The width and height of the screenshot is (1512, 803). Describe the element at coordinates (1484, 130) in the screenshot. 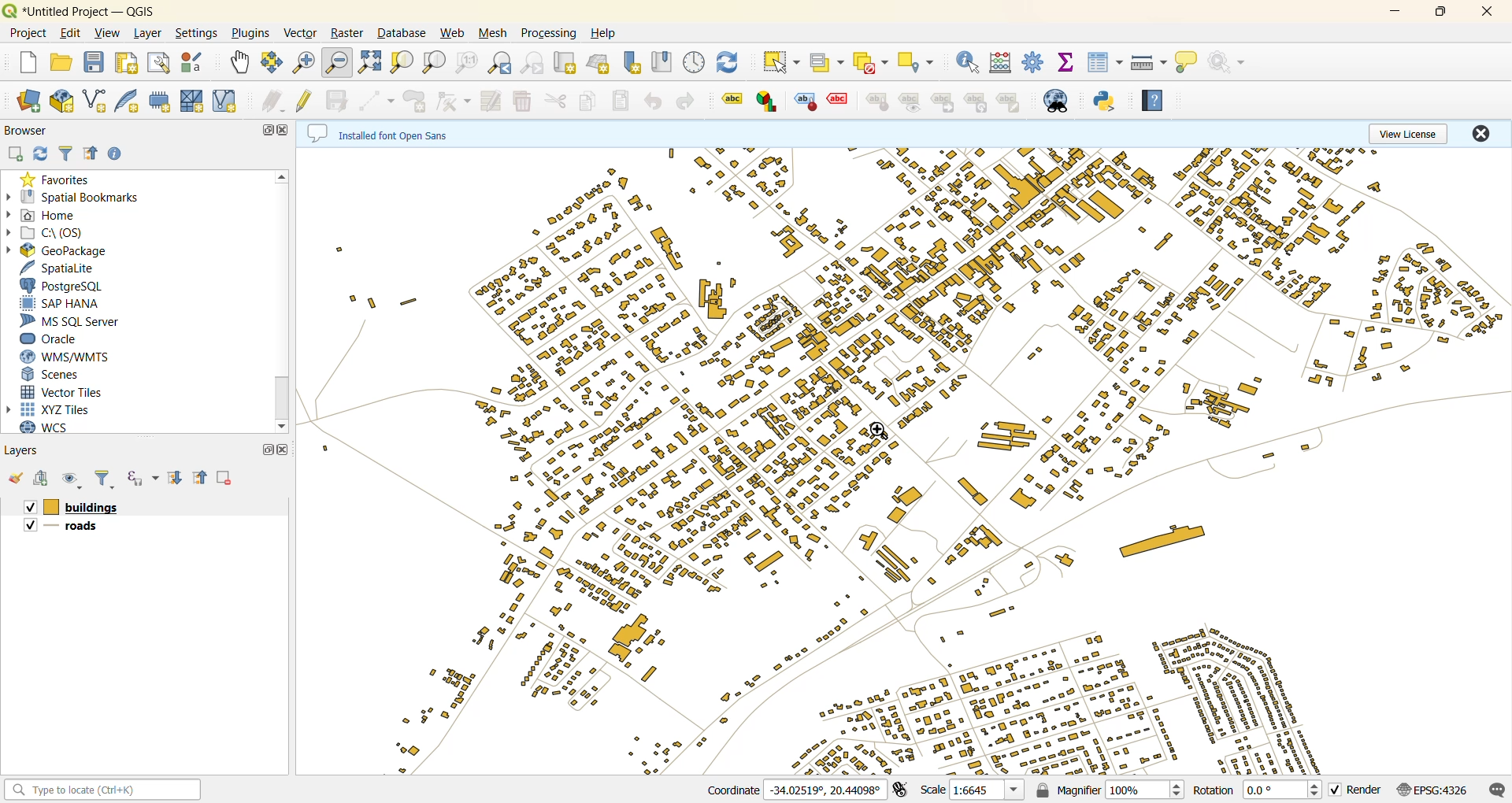

I see `close` at that location.